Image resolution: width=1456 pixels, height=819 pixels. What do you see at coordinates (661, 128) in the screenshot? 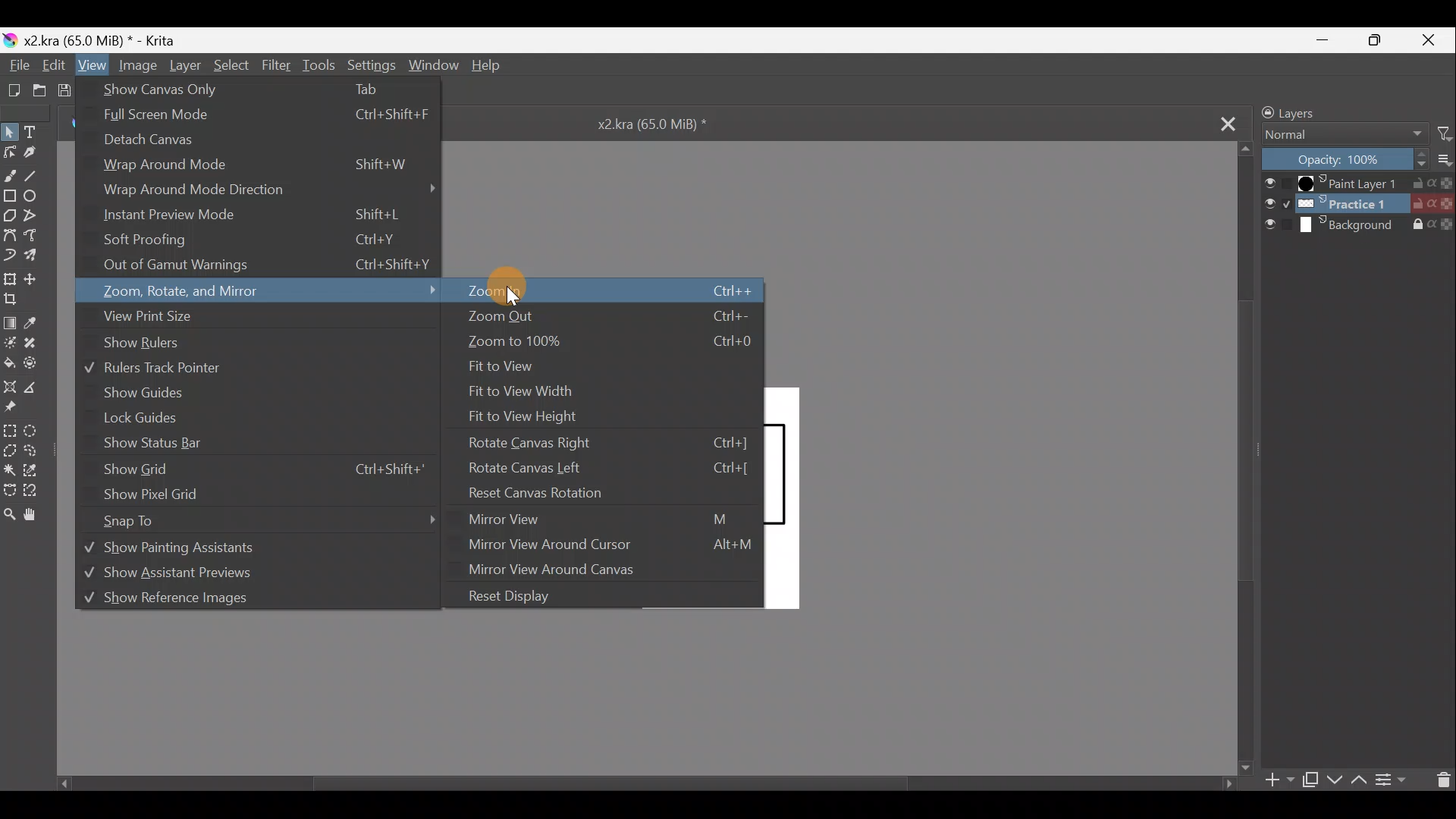
I see `x2.kra (65.0 MiB) *` at bounding box center [661, 128].